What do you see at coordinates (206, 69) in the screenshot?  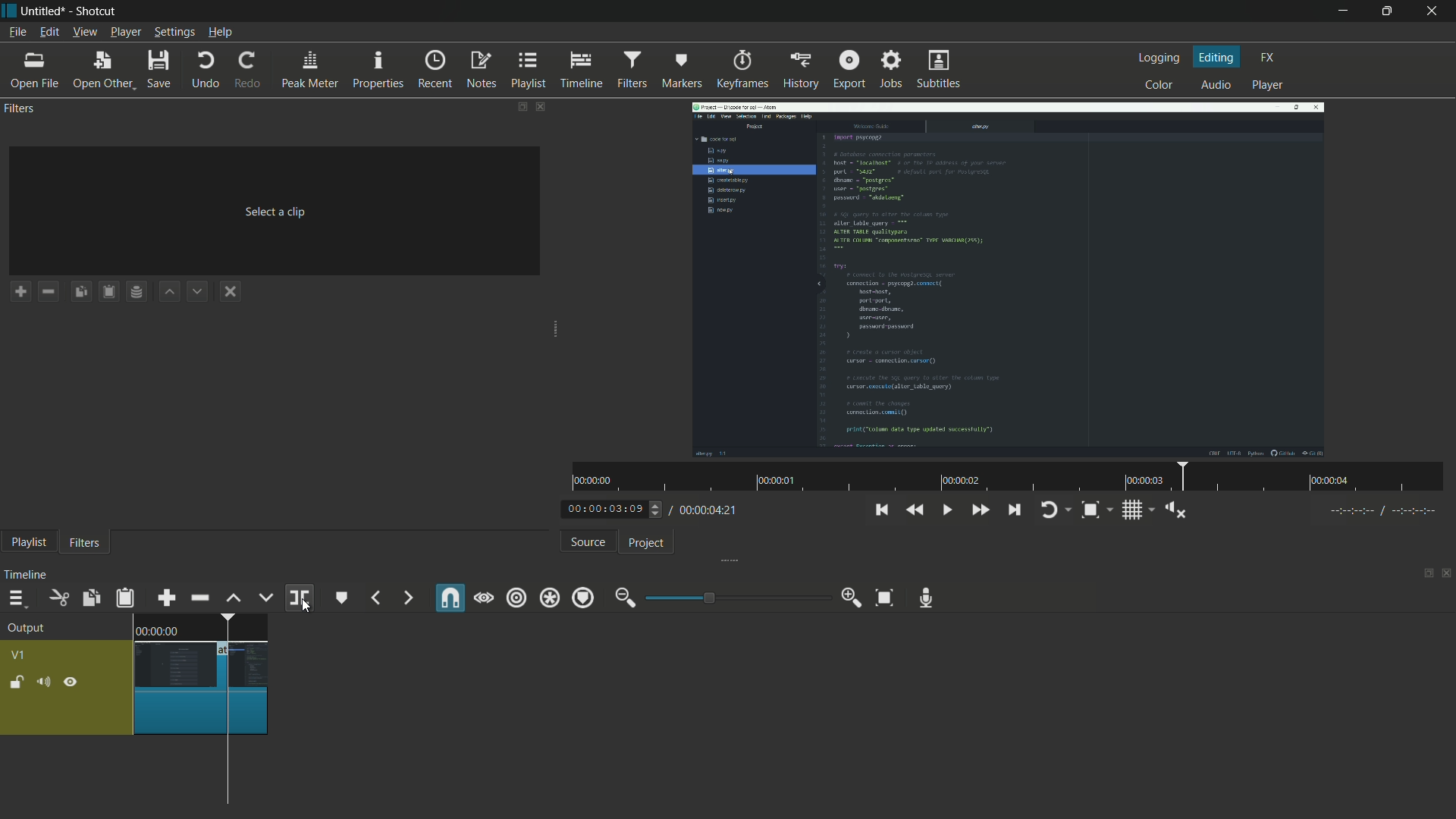 I see `undo` at bounding box center [206, 69].